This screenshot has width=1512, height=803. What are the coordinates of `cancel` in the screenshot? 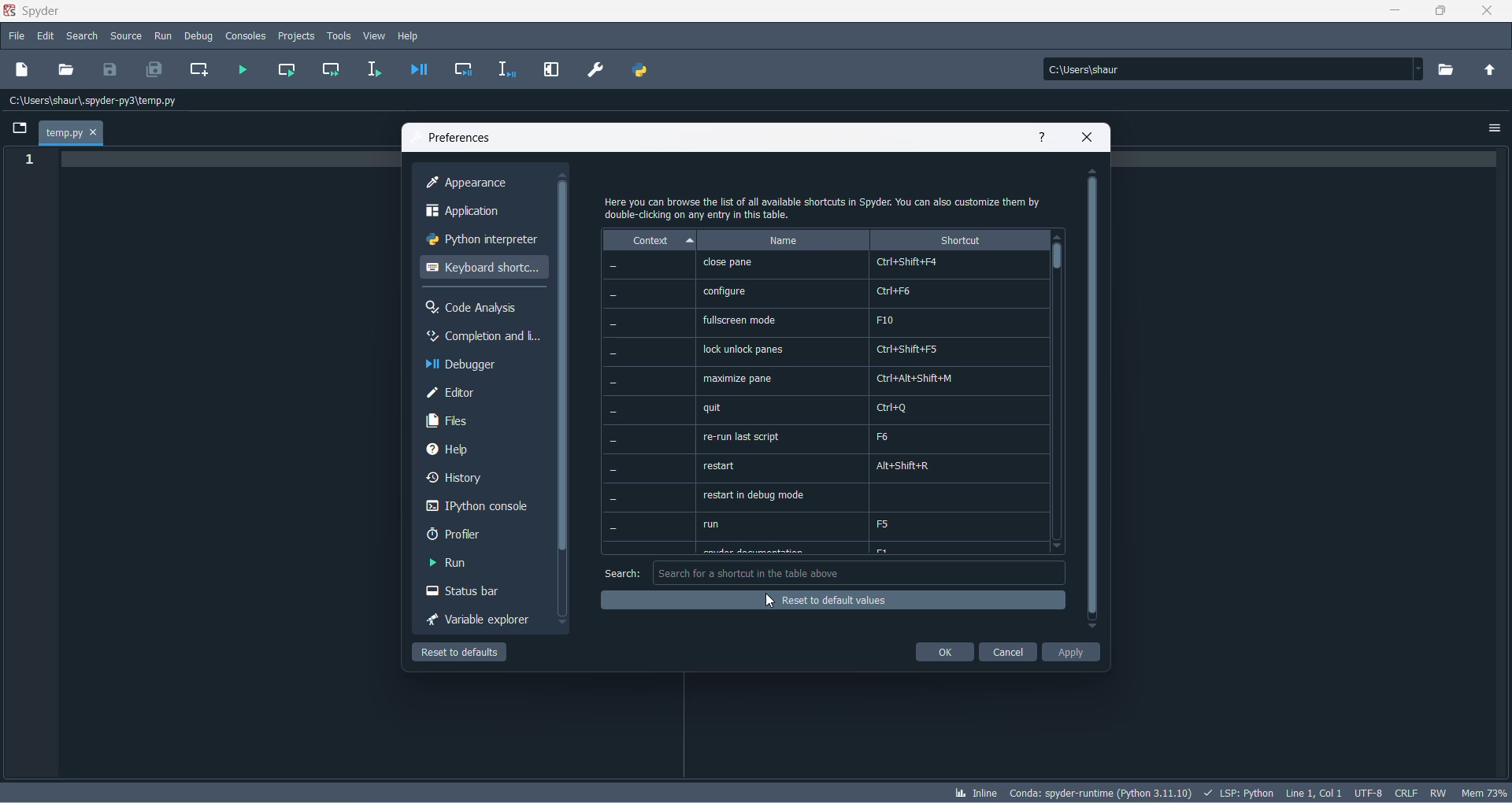 It's located at (1009, 653).